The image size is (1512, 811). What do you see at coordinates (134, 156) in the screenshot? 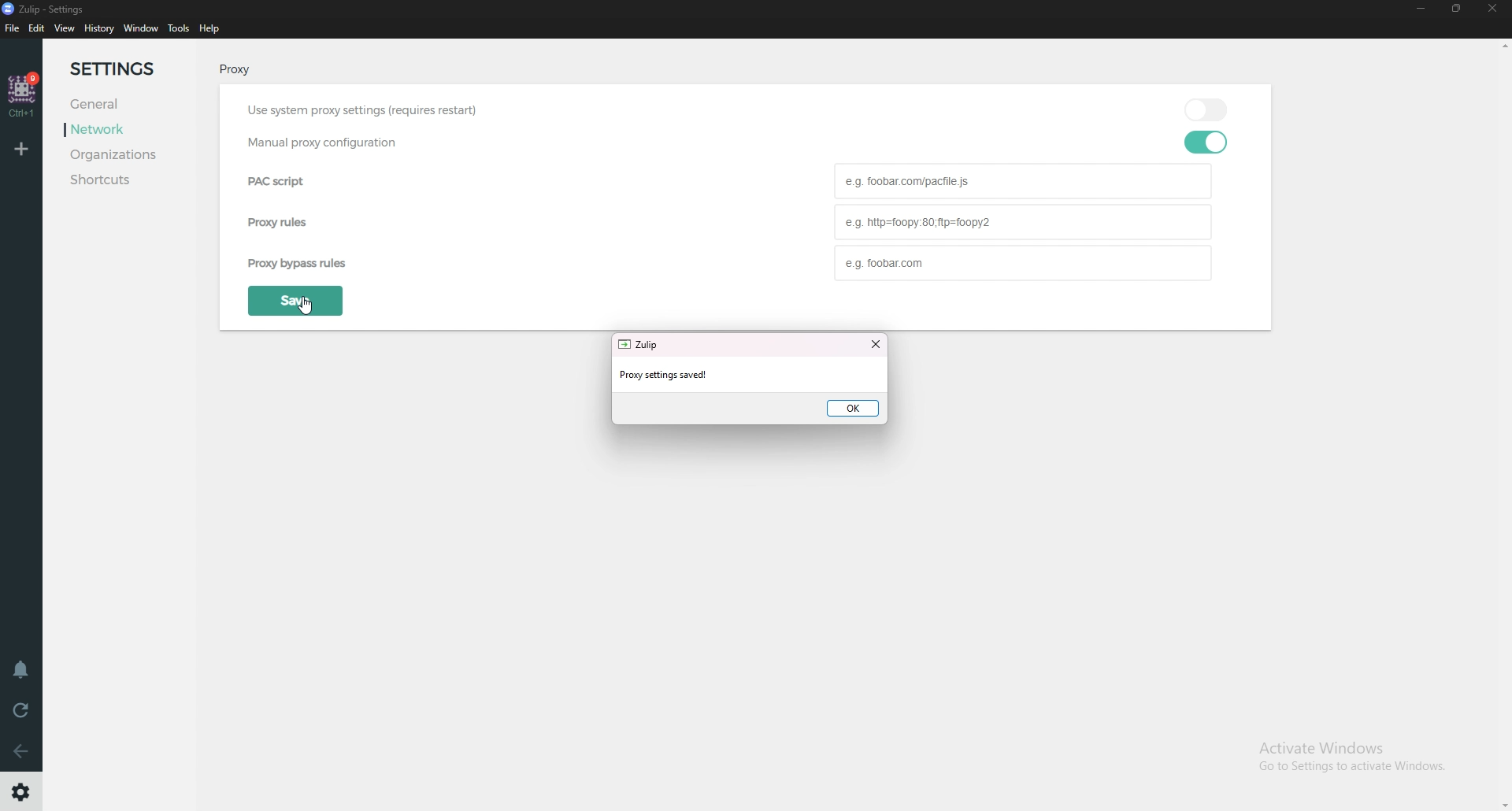
I see `Organizations` at bounding box center [134, 156].